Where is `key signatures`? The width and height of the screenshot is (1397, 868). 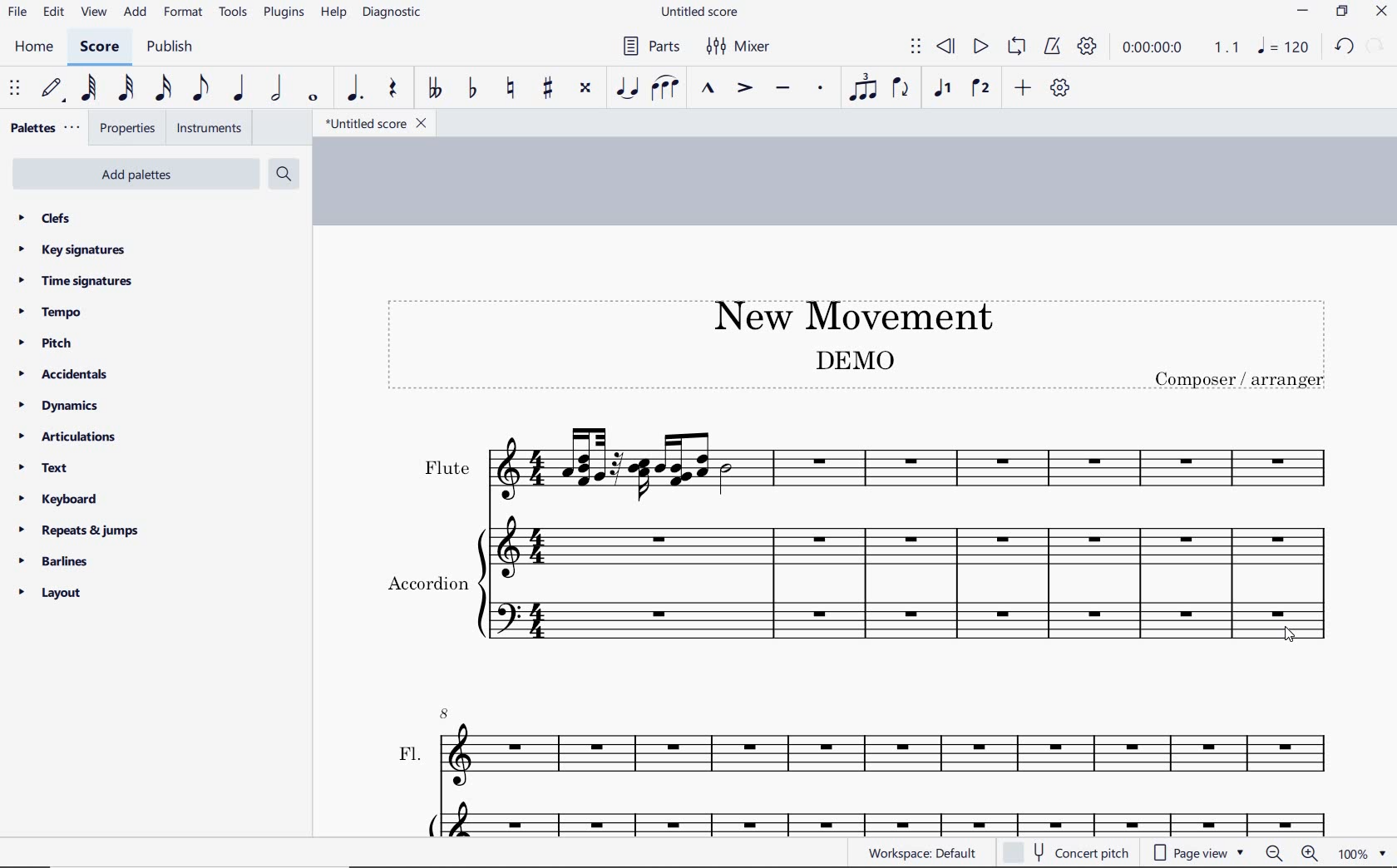 key signatures is located at coordinates (71, 249).